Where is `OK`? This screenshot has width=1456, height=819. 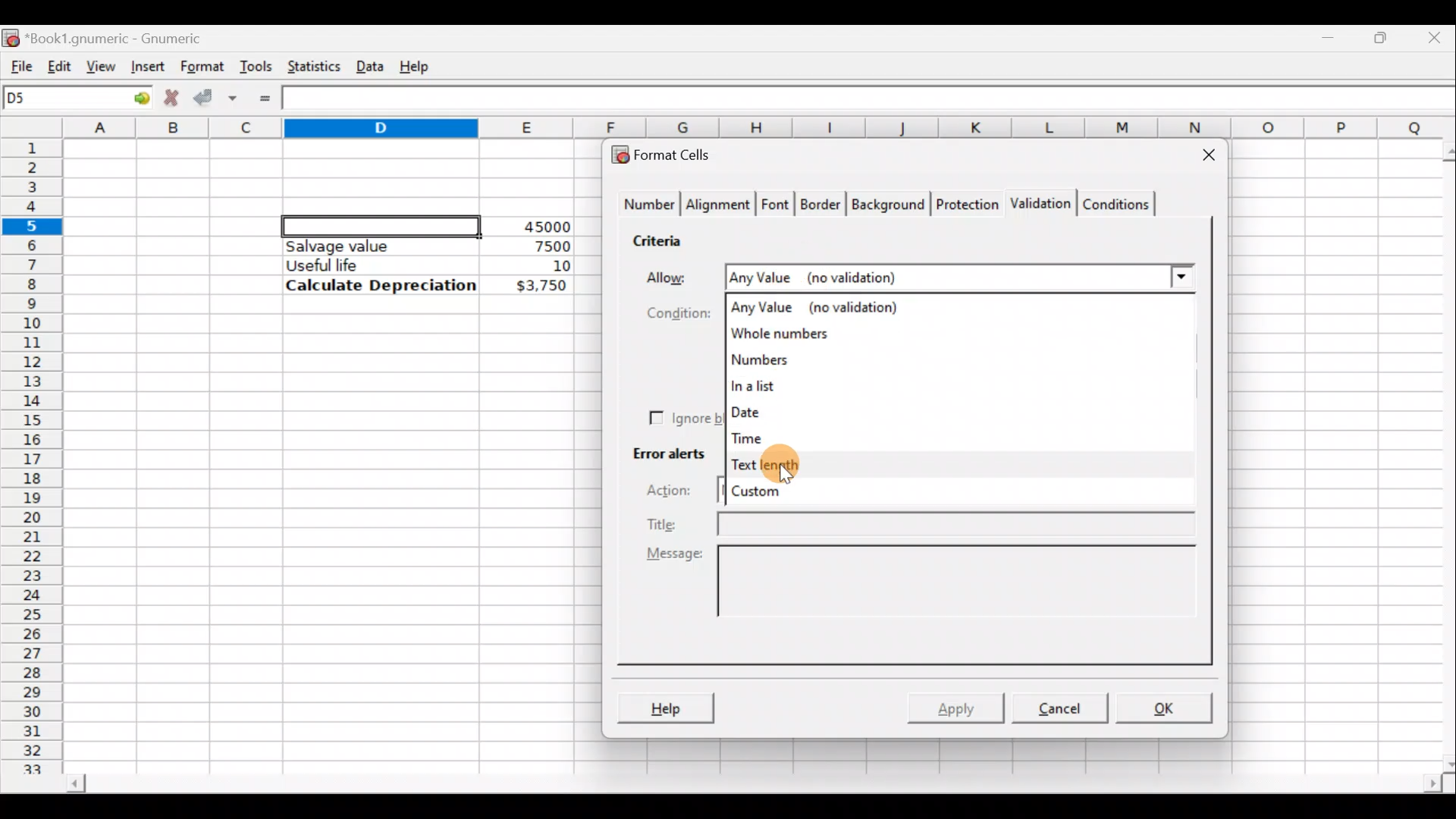 OK is located at coordinates (1166, 708).